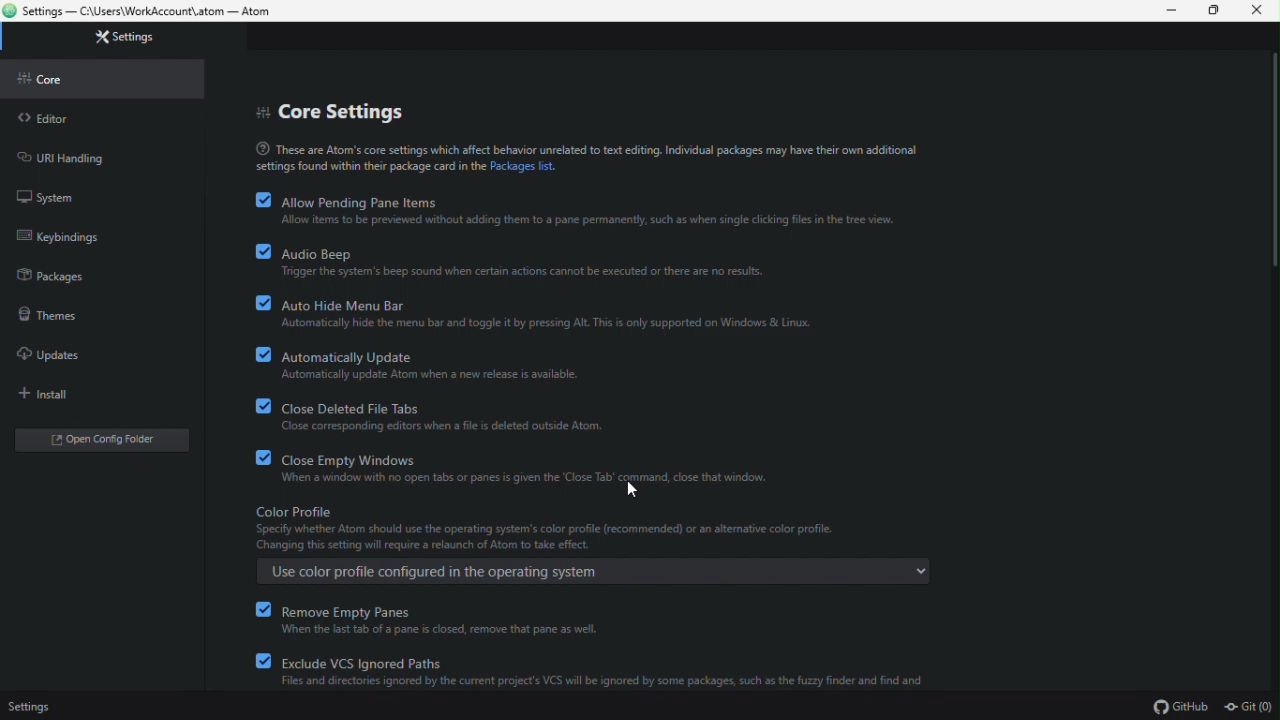 This screenshot has width=1280, height=720. Describe the element at coordinates (43, 118) in the screenshot. I see `editor` at that location.